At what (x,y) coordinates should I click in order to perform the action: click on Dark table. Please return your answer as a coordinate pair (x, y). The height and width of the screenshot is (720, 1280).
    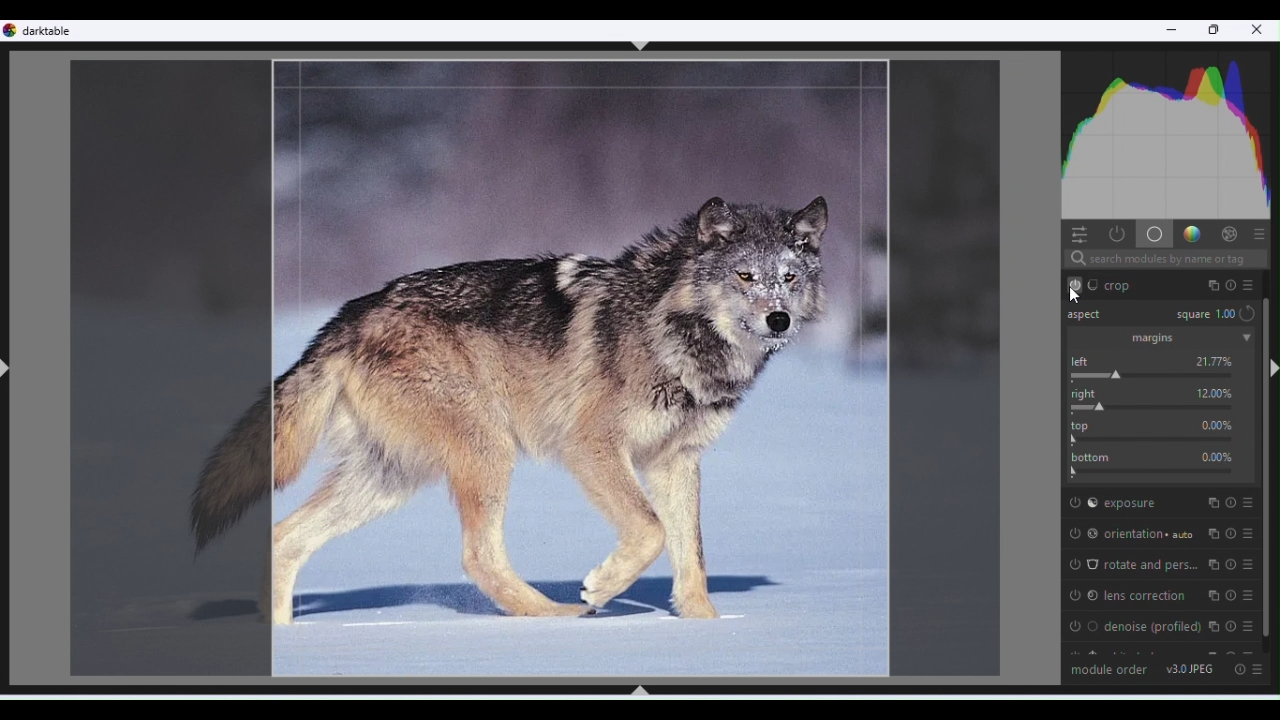
    Looking at the image, I should click on (51, 30).